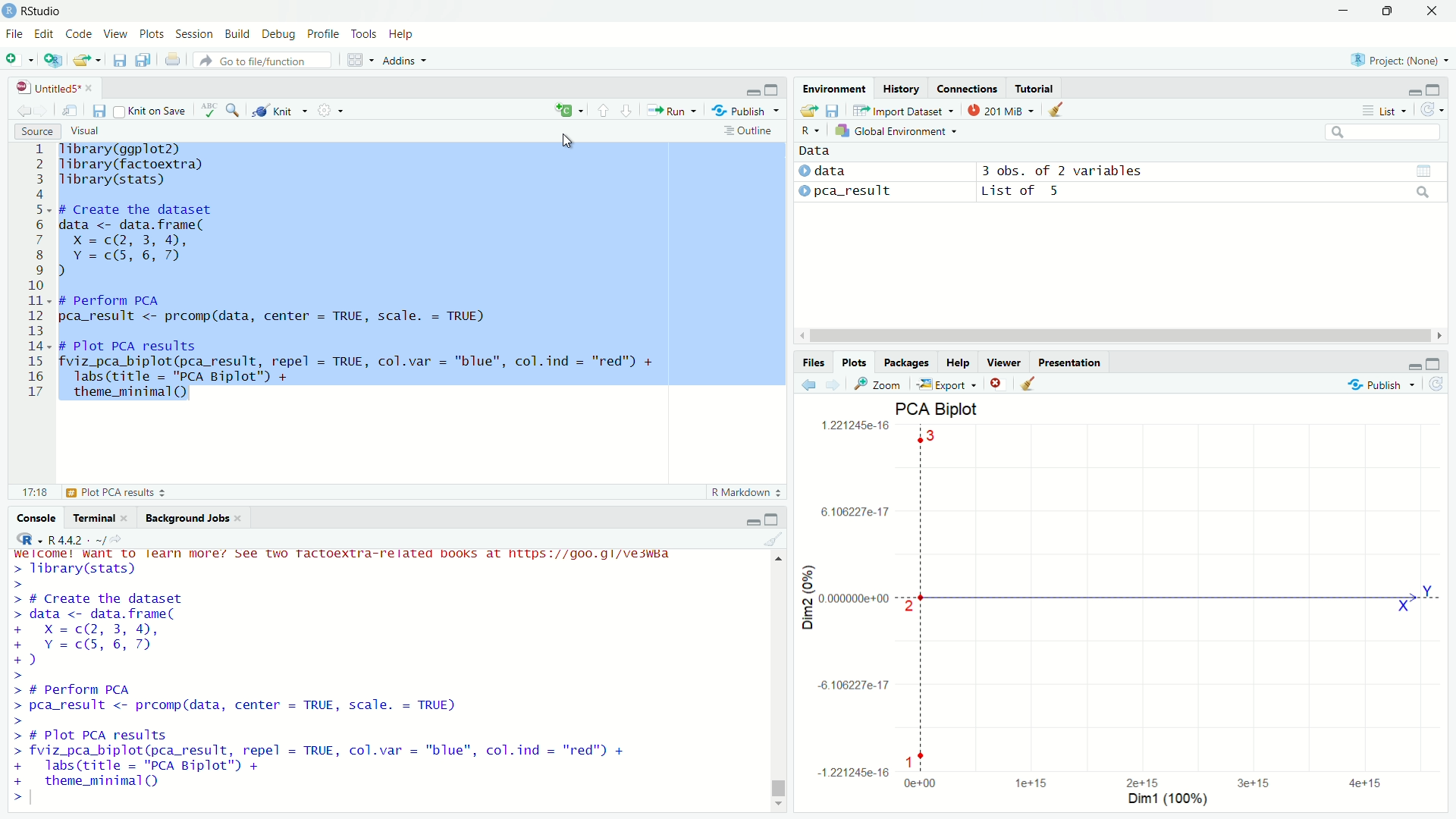 The width and height of the screenshot is (1456, 819). Describe the element at coordinates (1413, 362) in the screenshot. I see `minimize` at that location.